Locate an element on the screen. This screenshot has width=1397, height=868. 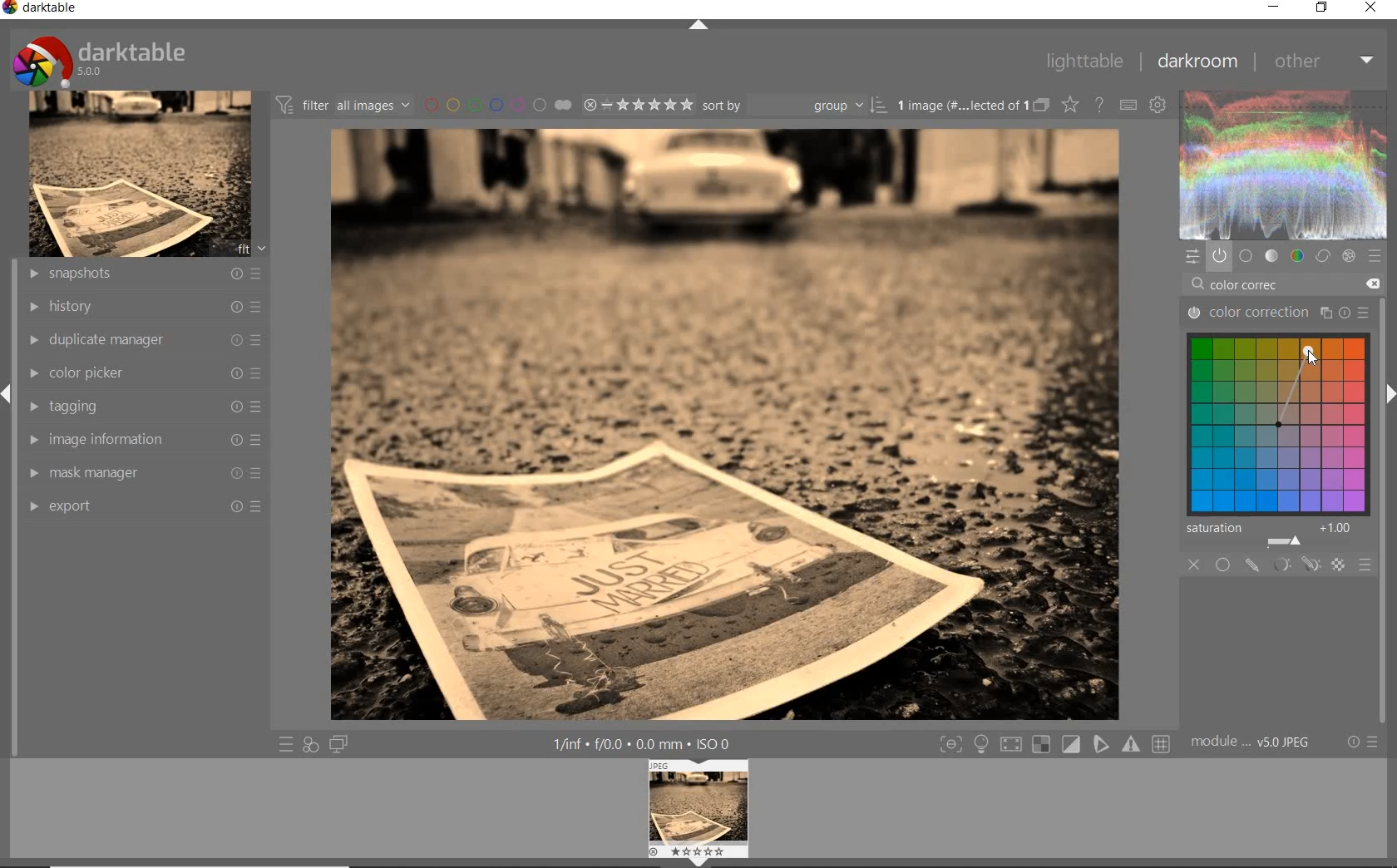
quick access to preset is located at coordinates (286, 742).